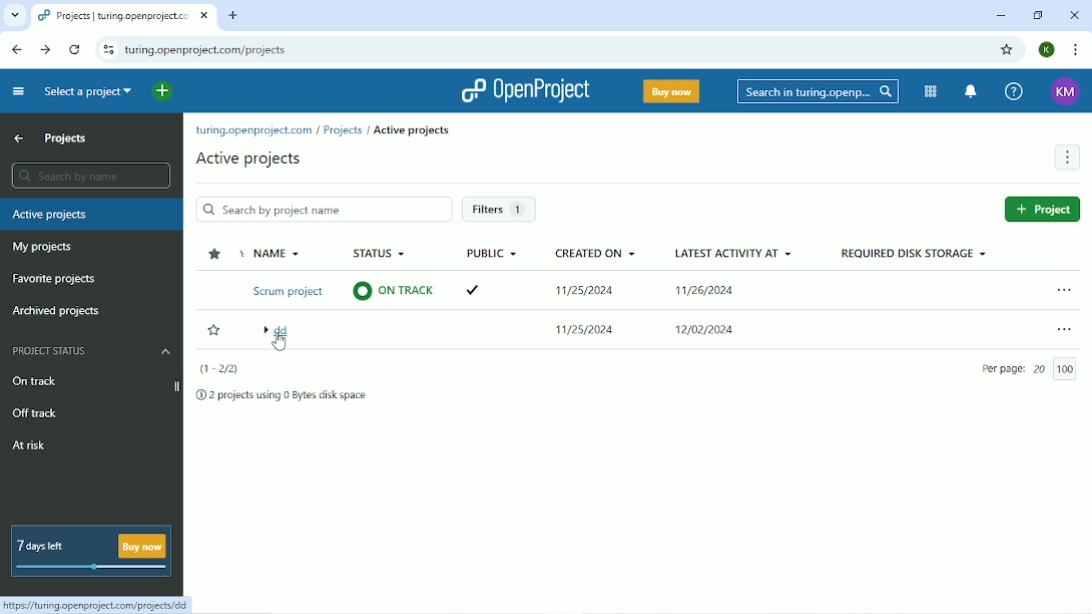 The width and height of the screenshot is (1092, 614). Describe the element at coordinates (41, 248) in the screenshot. I see `My projects` at that location.